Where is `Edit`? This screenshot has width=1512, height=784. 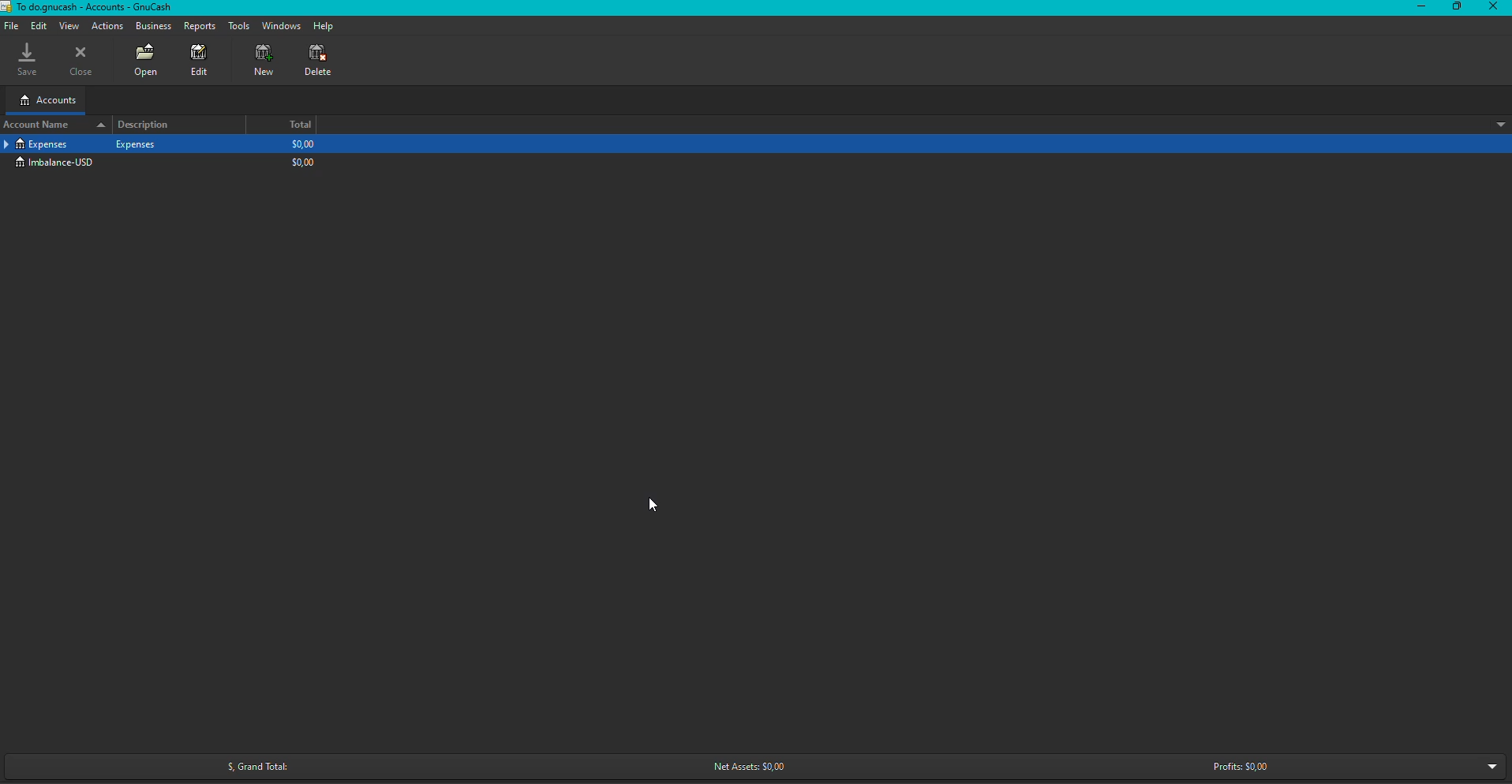 Edit is located at coordinates (39, 26).